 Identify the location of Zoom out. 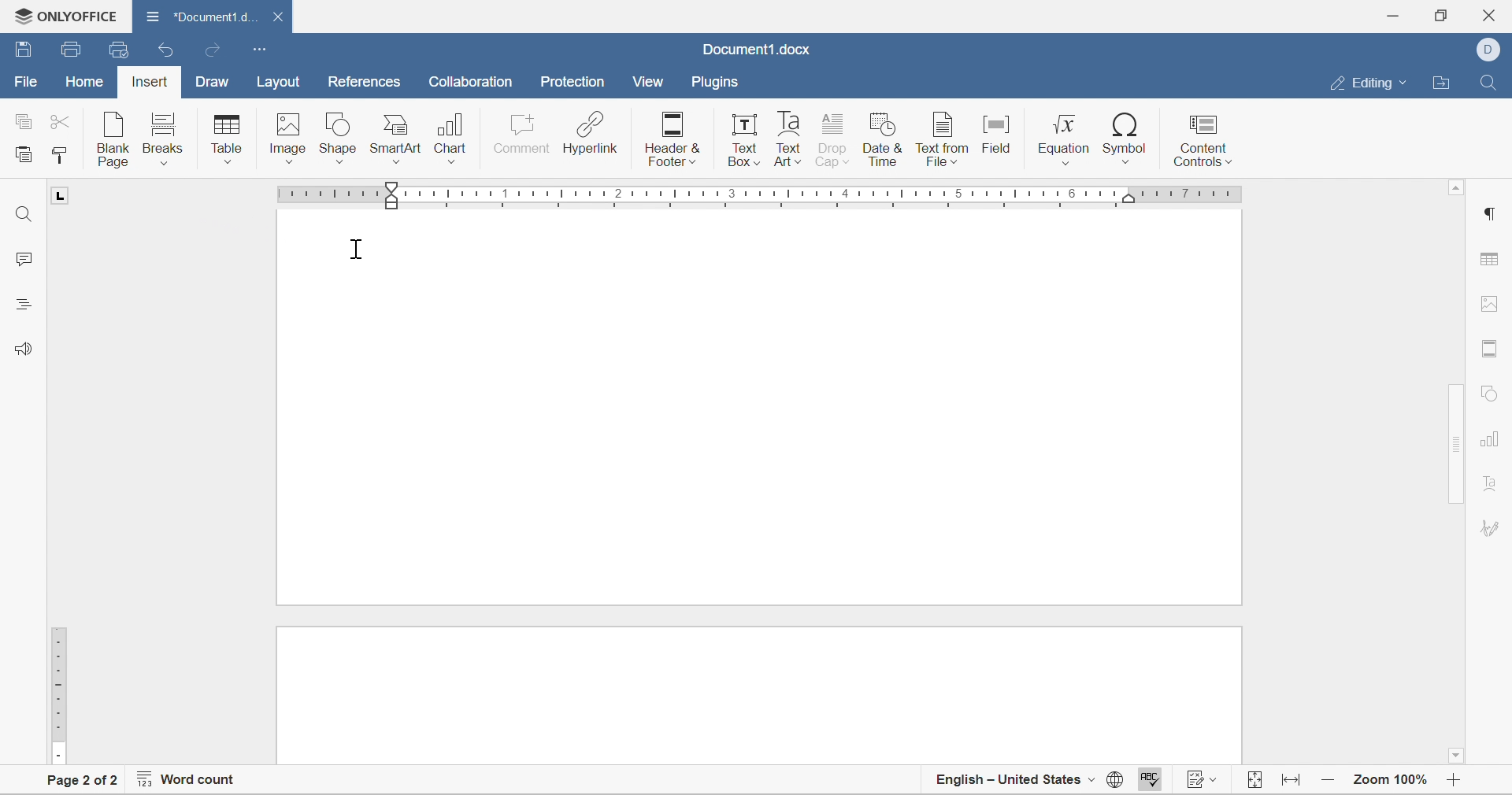
(1329, 782).